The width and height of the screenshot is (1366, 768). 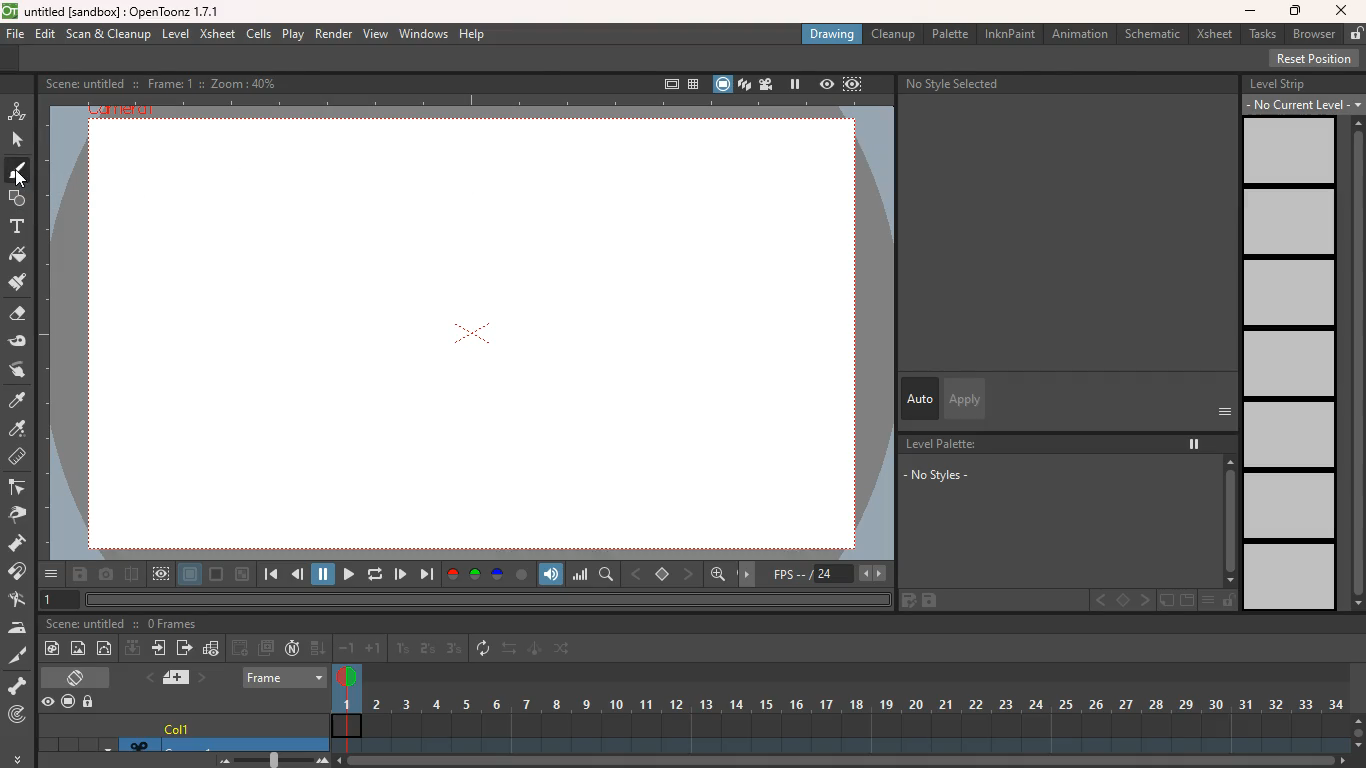 What do you see at coordinates (1354, 34) in the screenshot?
I see `unlock` at bounding box center [1354, 34].